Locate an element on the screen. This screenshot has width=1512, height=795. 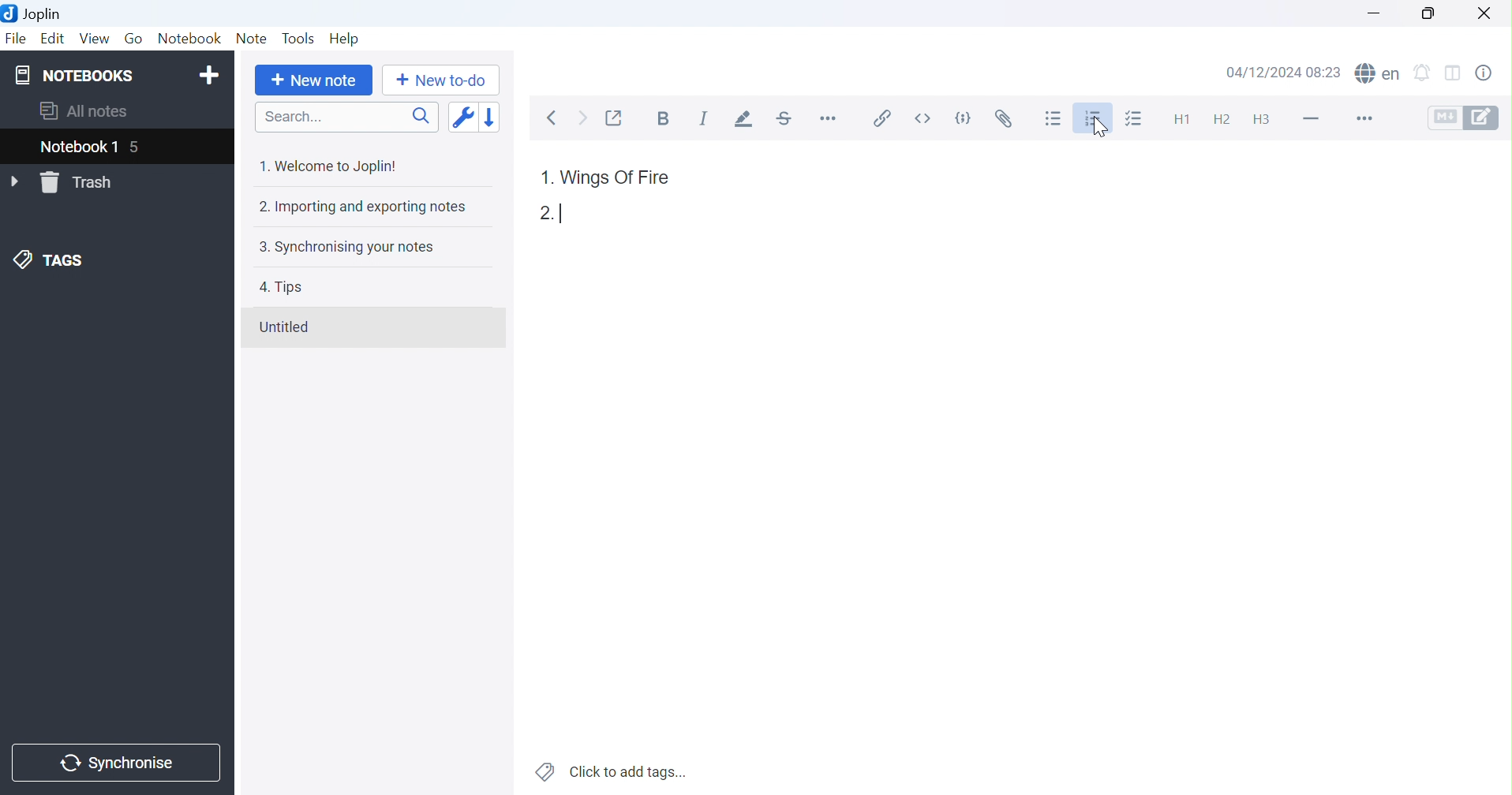
Untitled is located at coordinates (283, 327).